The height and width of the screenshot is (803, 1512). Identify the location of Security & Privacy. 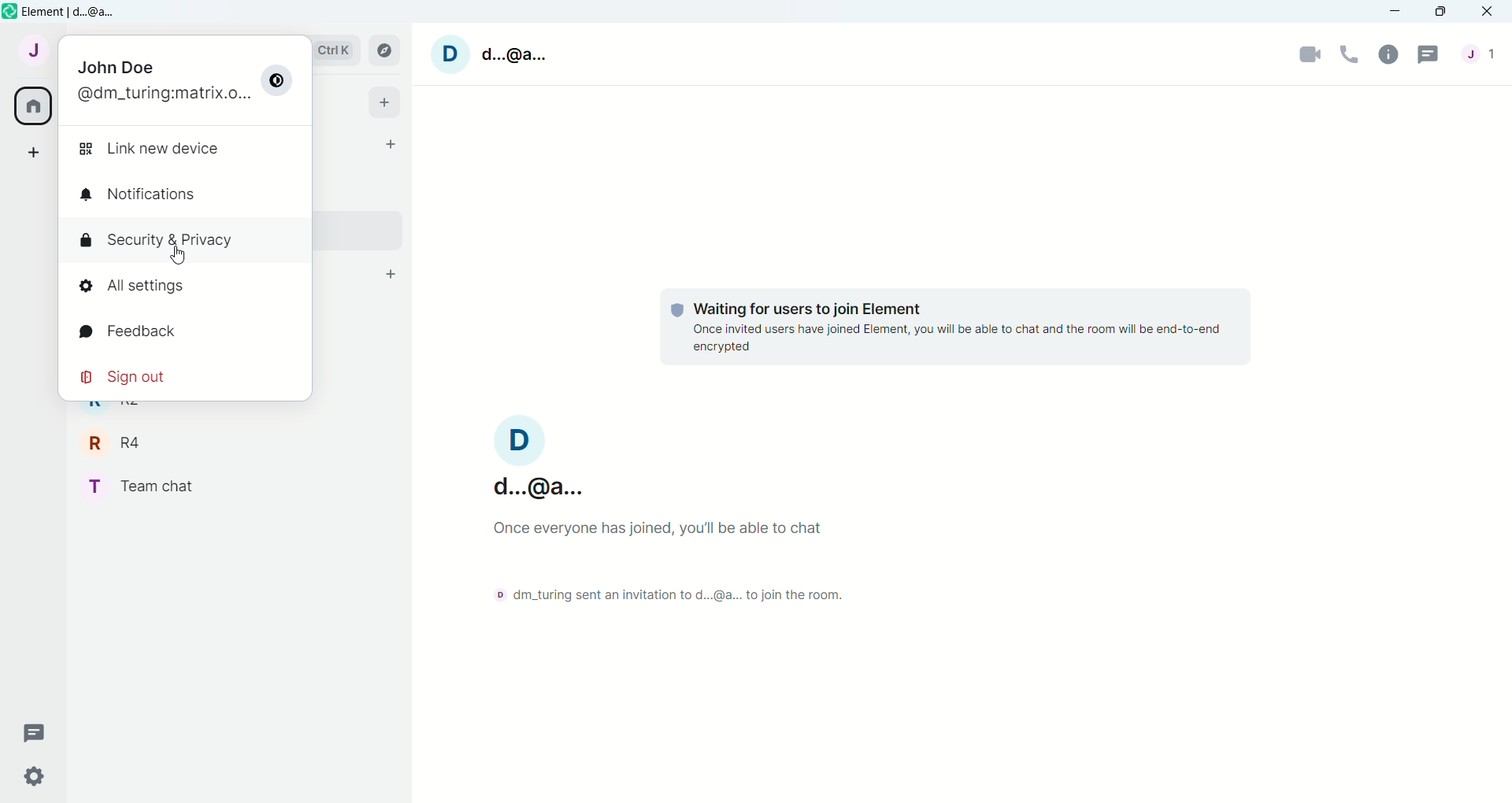
(157, 241).